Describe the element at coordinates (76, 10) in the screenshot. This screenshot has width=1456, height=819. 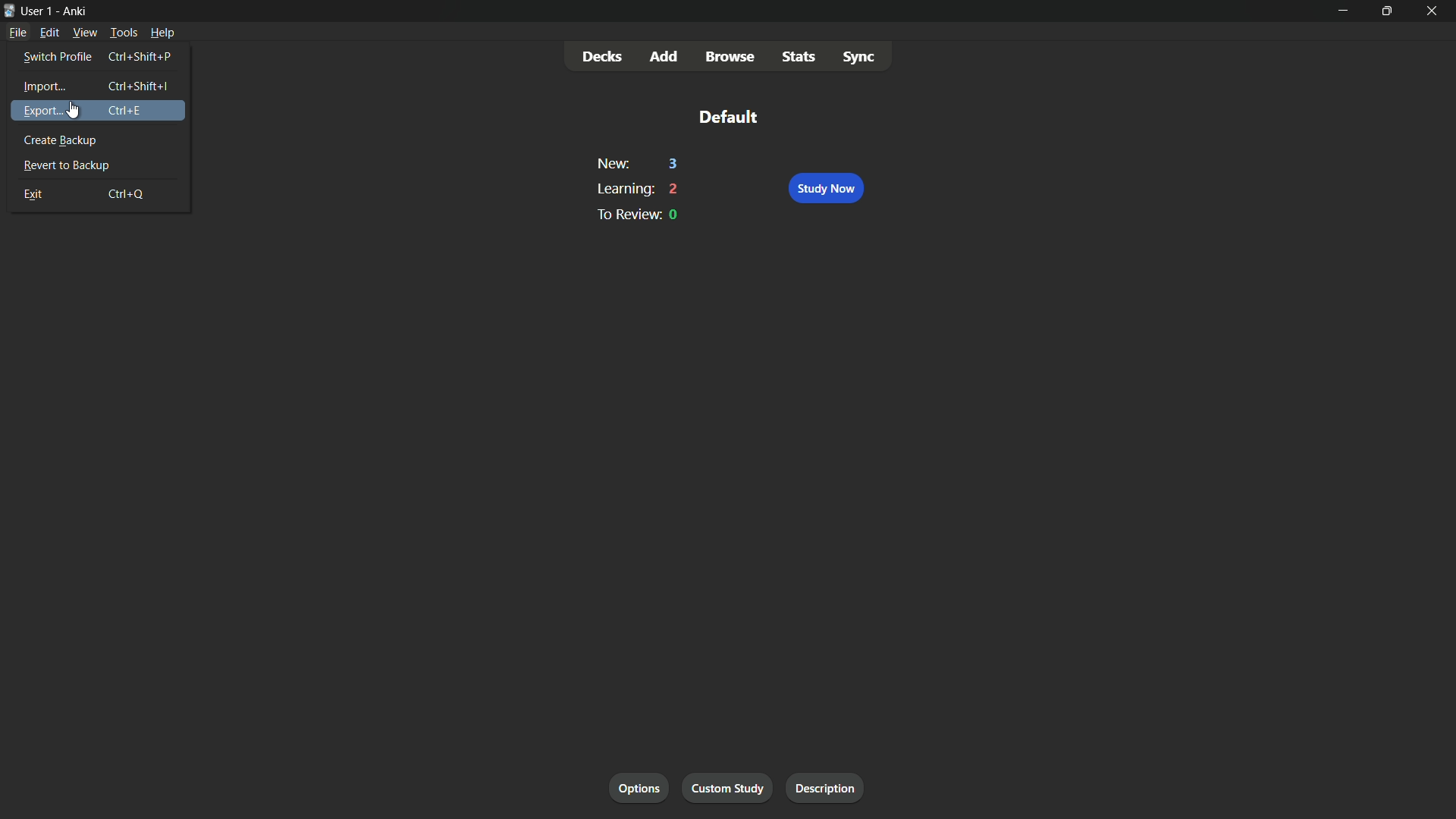
I see `app name` at that location.